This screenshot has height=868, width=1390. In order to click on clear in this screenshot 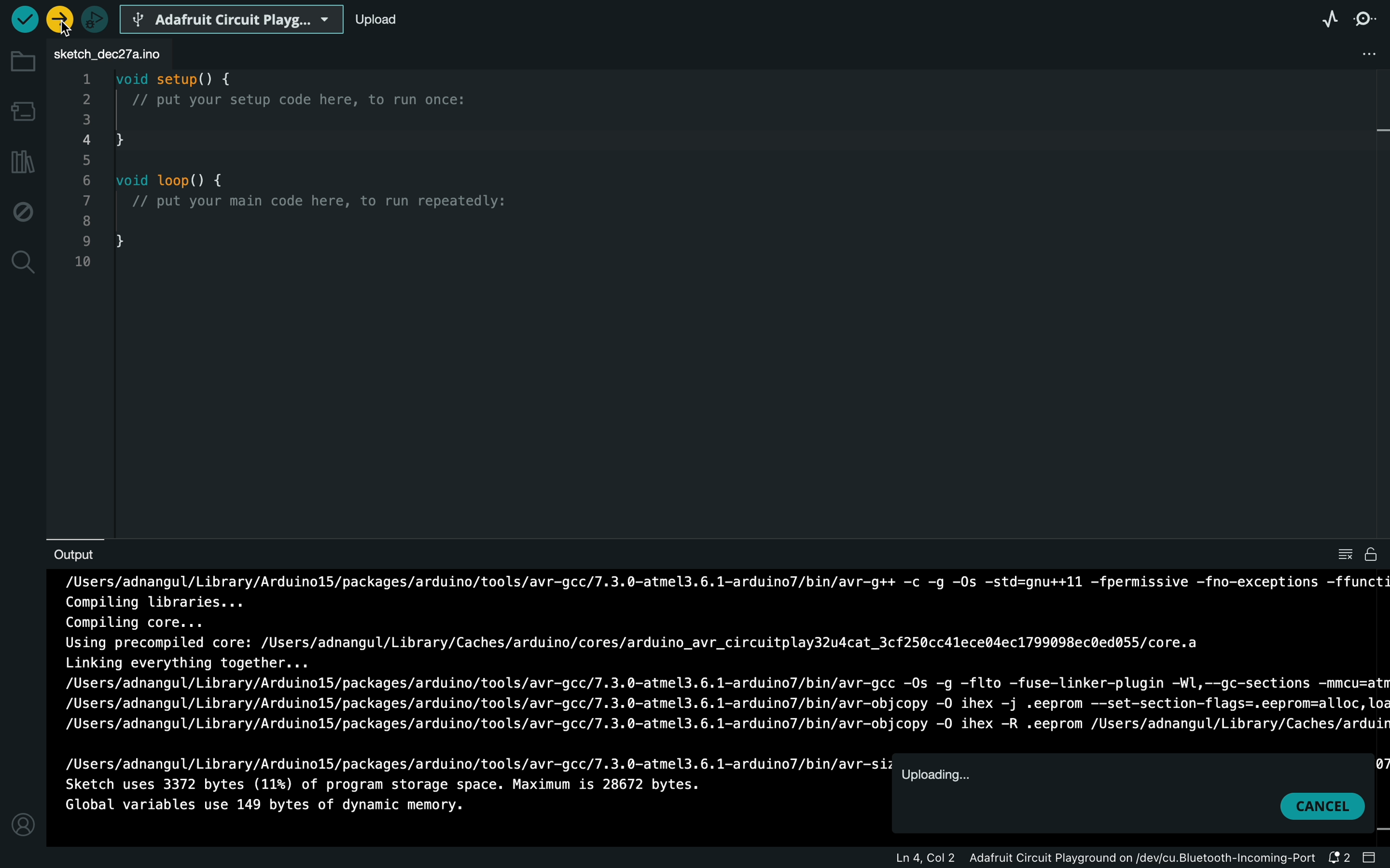, I will do `click(1330, 555)`.